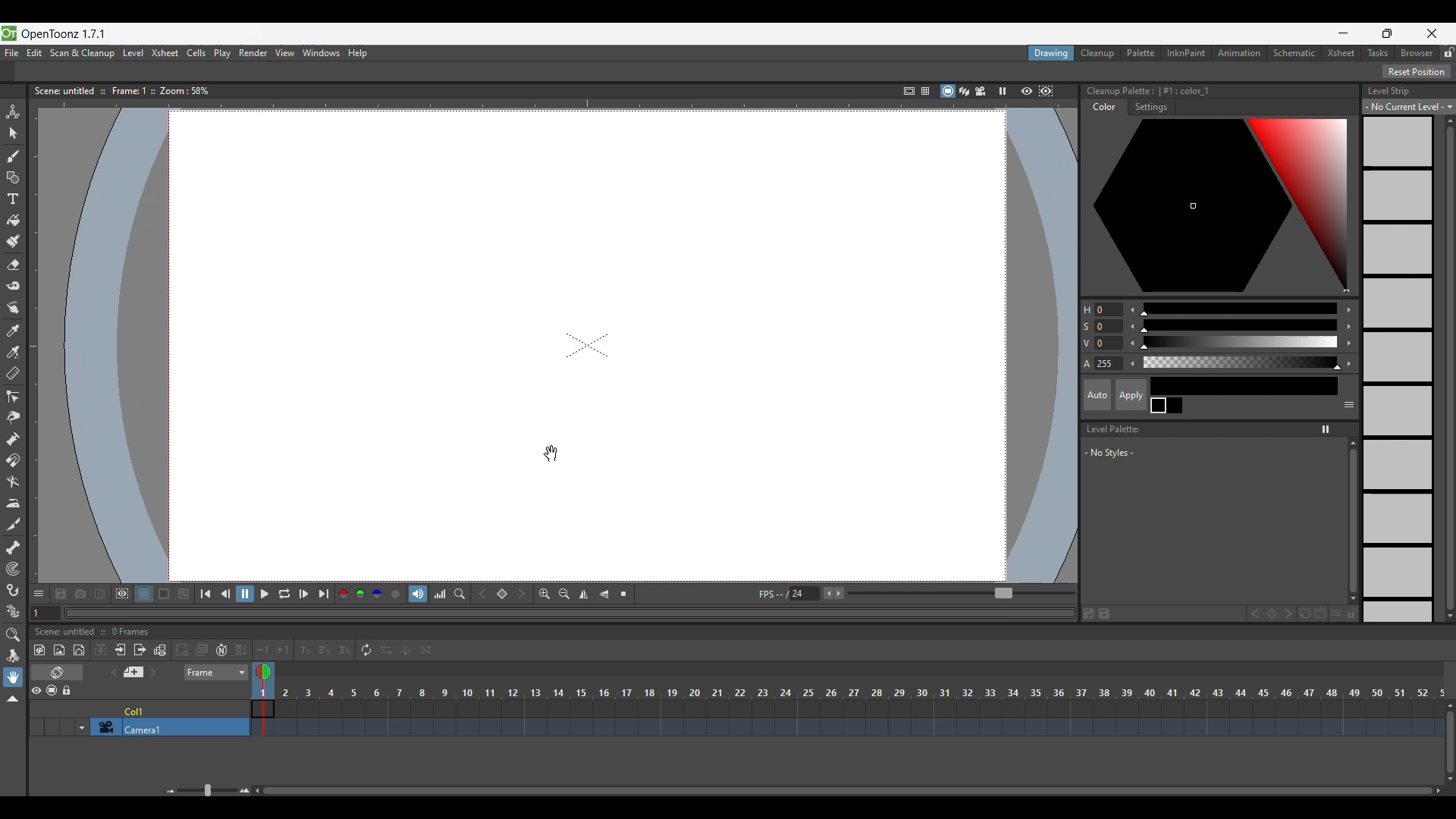 This screenshot has height=819, width=1456. I want to click on Auto input cell number, so click(221, 650).